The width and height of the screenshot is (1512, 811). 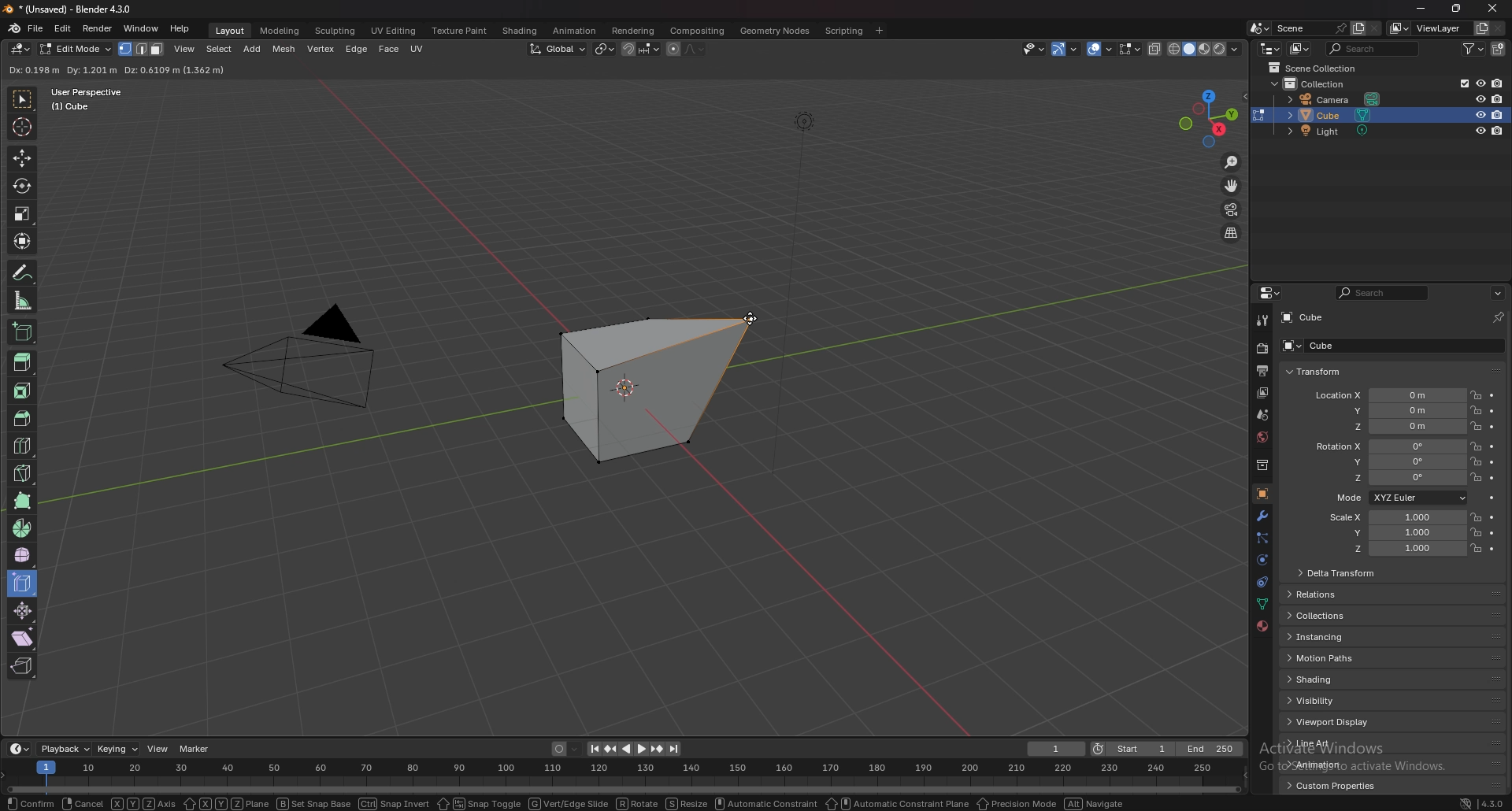 I want to click on custom properties, so click(x=1332, y=785).